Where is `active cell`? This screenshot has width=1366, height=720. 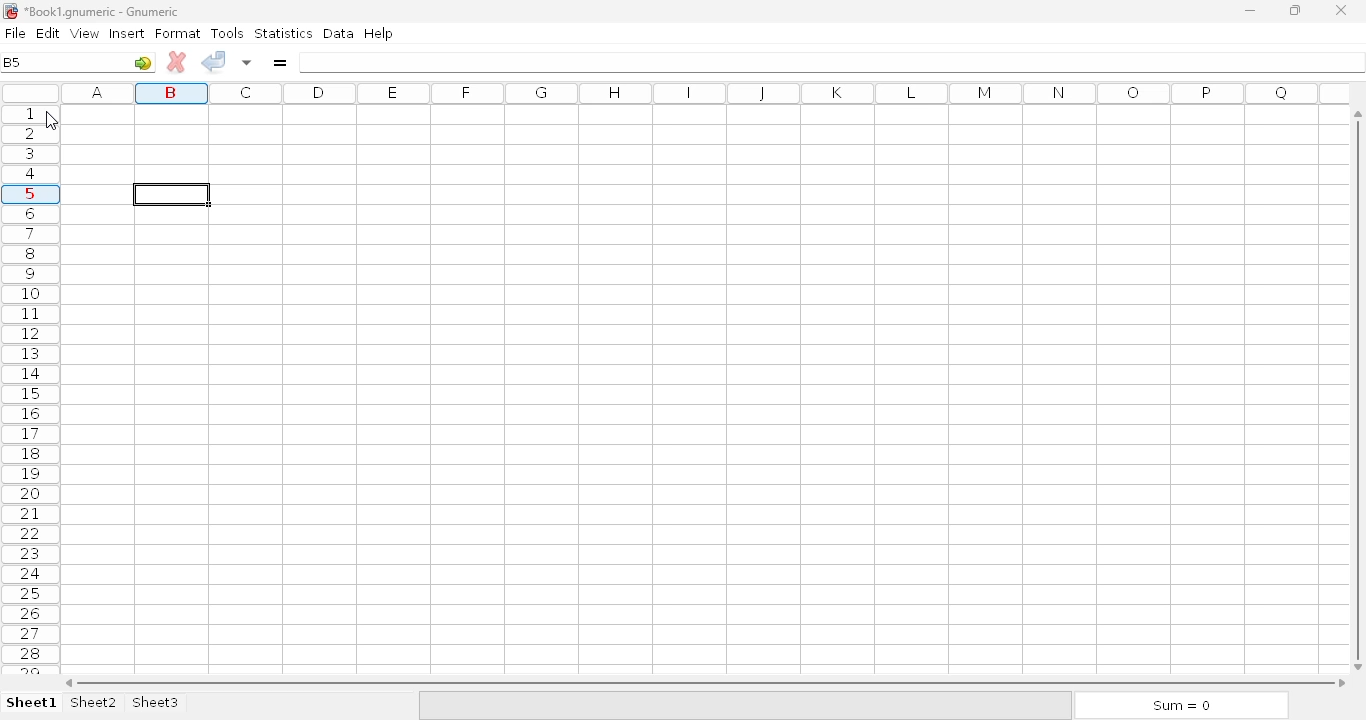
active cell is located at coordinates (172, 194).